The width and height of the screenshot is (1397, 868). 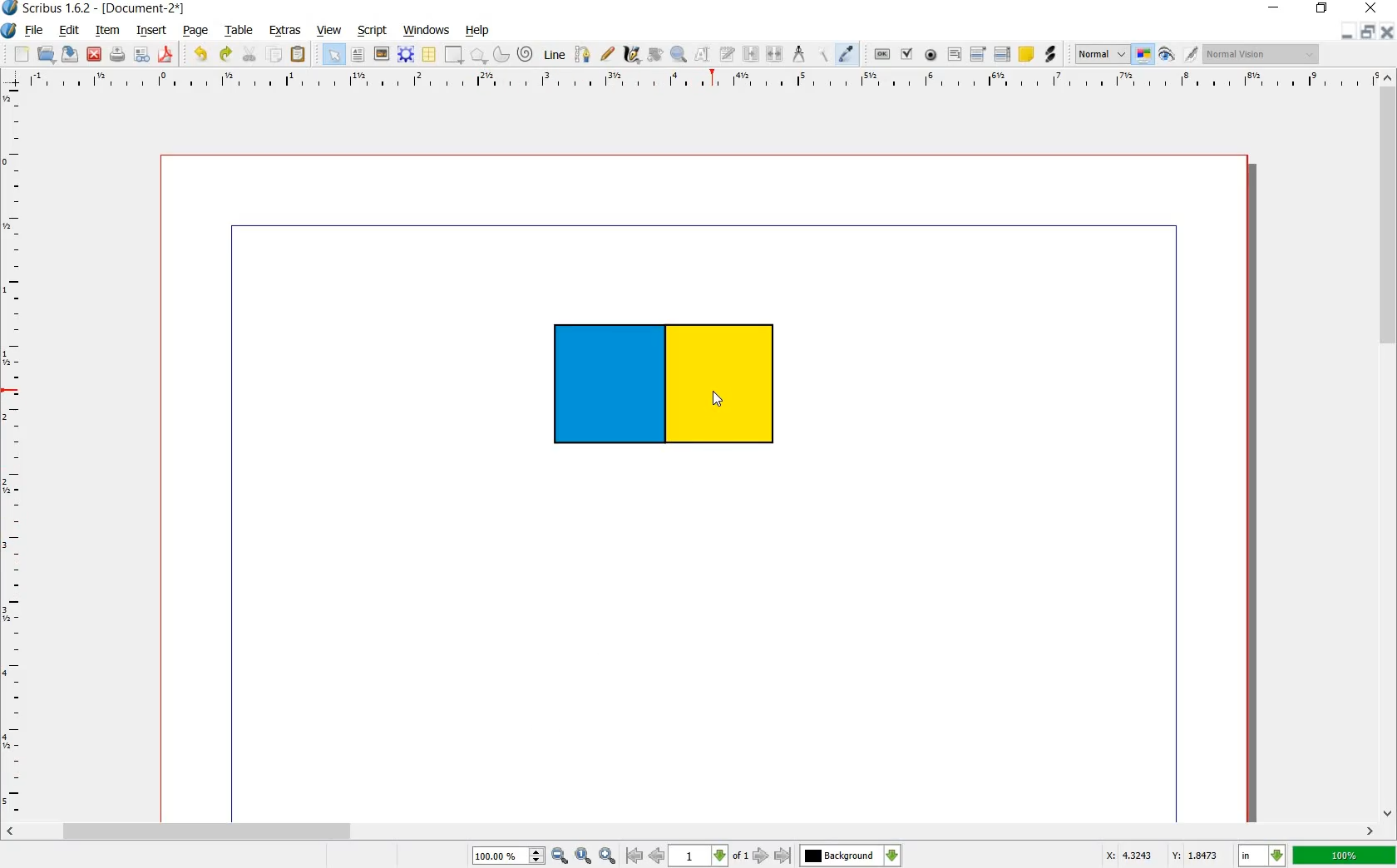 What do you see at coordinates (1261, 55) in the screenshot?
I see `normal vision` at bounding box center [1261, 55].